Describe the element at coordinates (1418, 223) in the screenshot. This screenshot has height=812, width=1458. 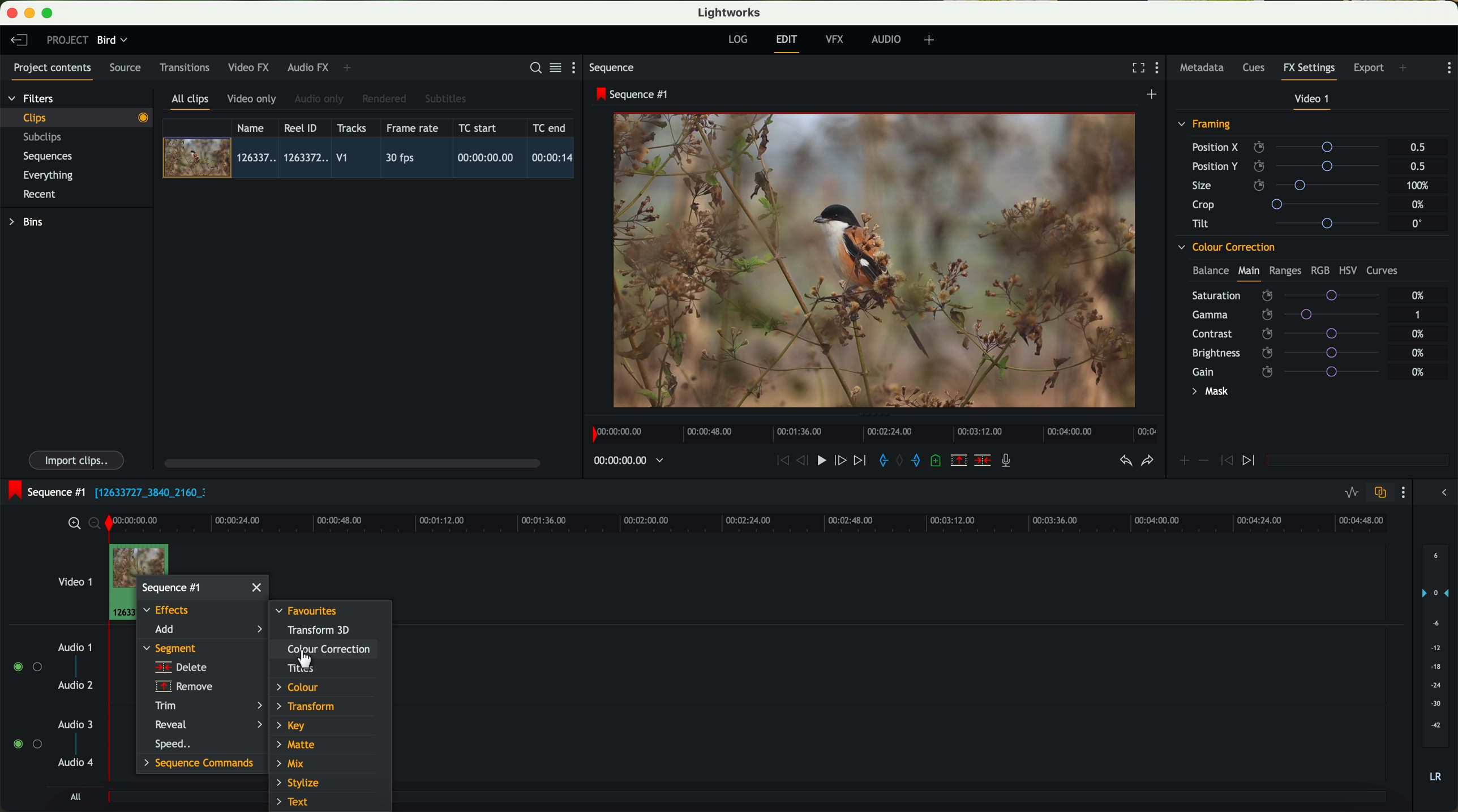
I see `0°` at that location.